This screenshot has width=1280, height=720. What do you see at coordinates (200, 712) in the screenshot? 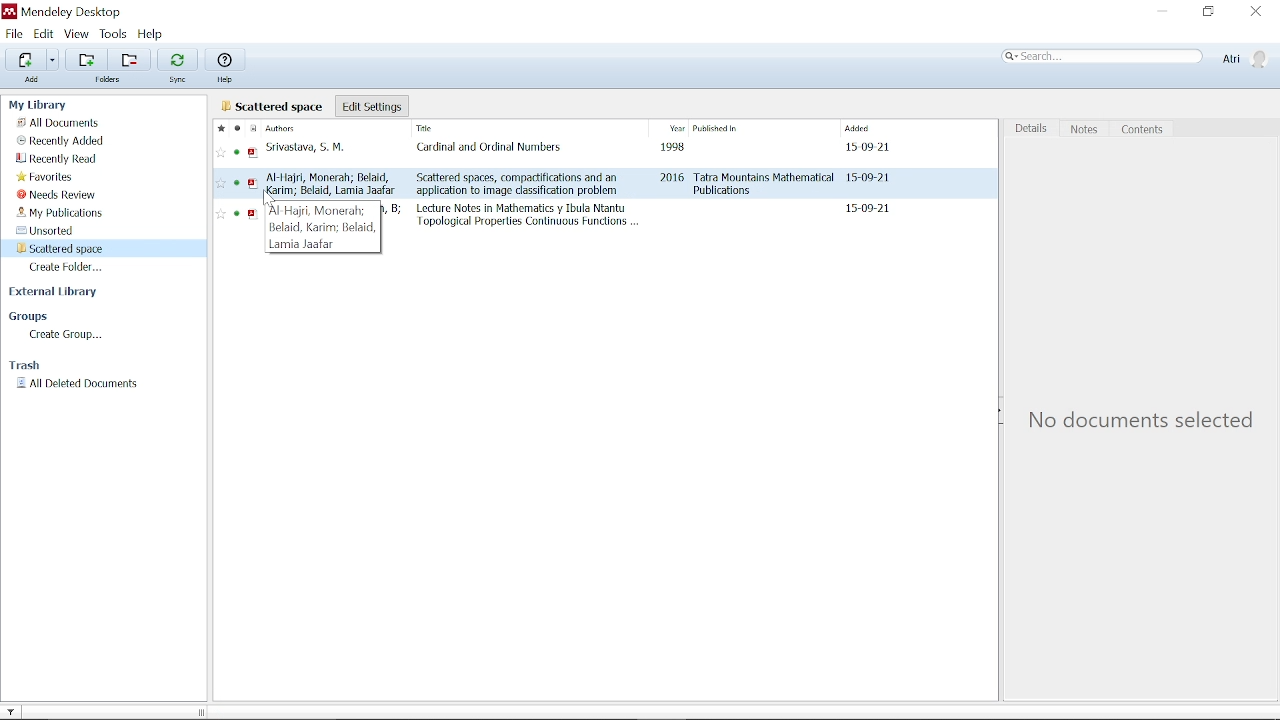
I see `change sidebar width` at bounding box center [200, 712].